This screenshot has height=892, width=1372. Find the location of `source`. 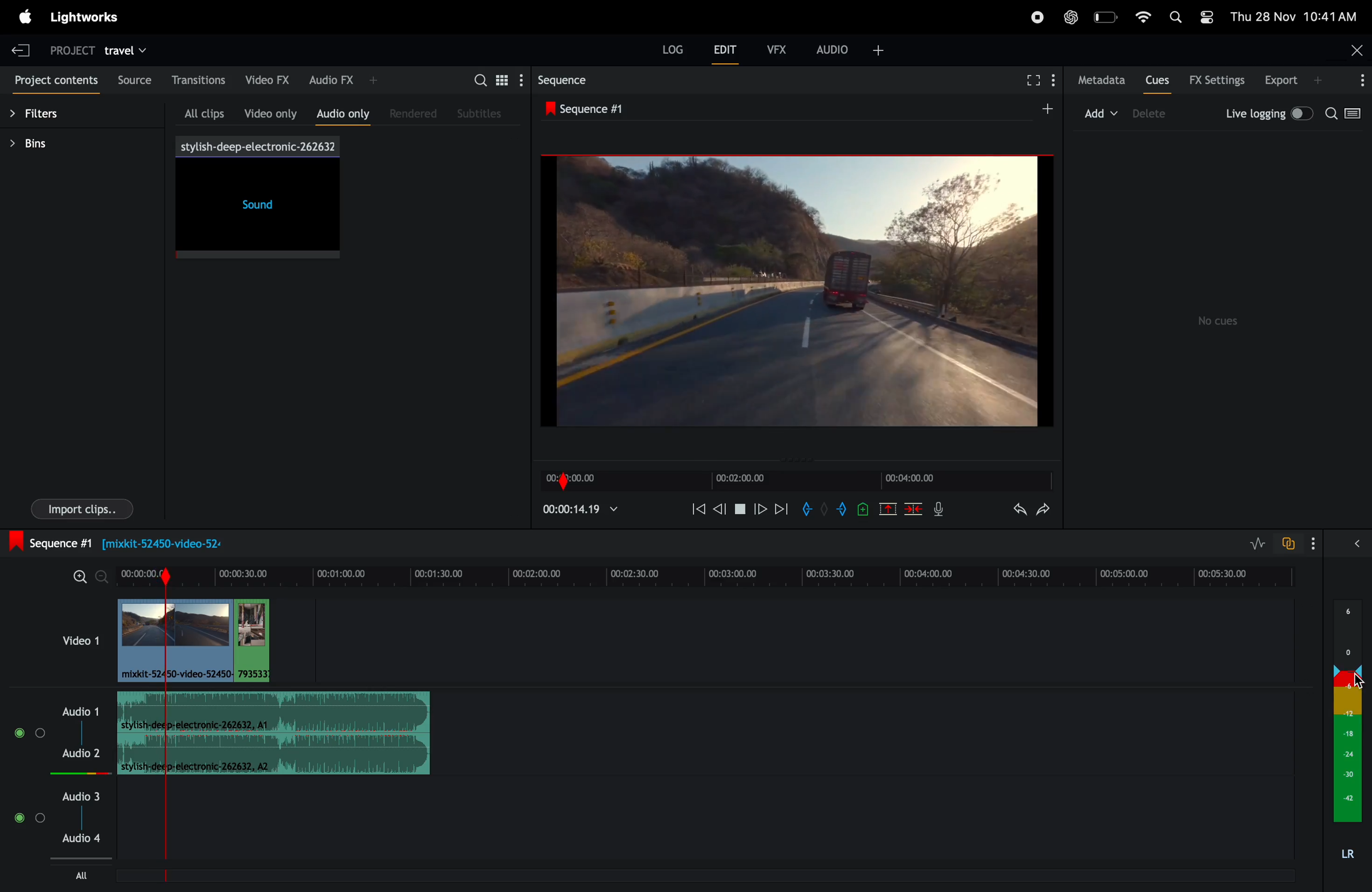

source is located at coordinates (131, 79).